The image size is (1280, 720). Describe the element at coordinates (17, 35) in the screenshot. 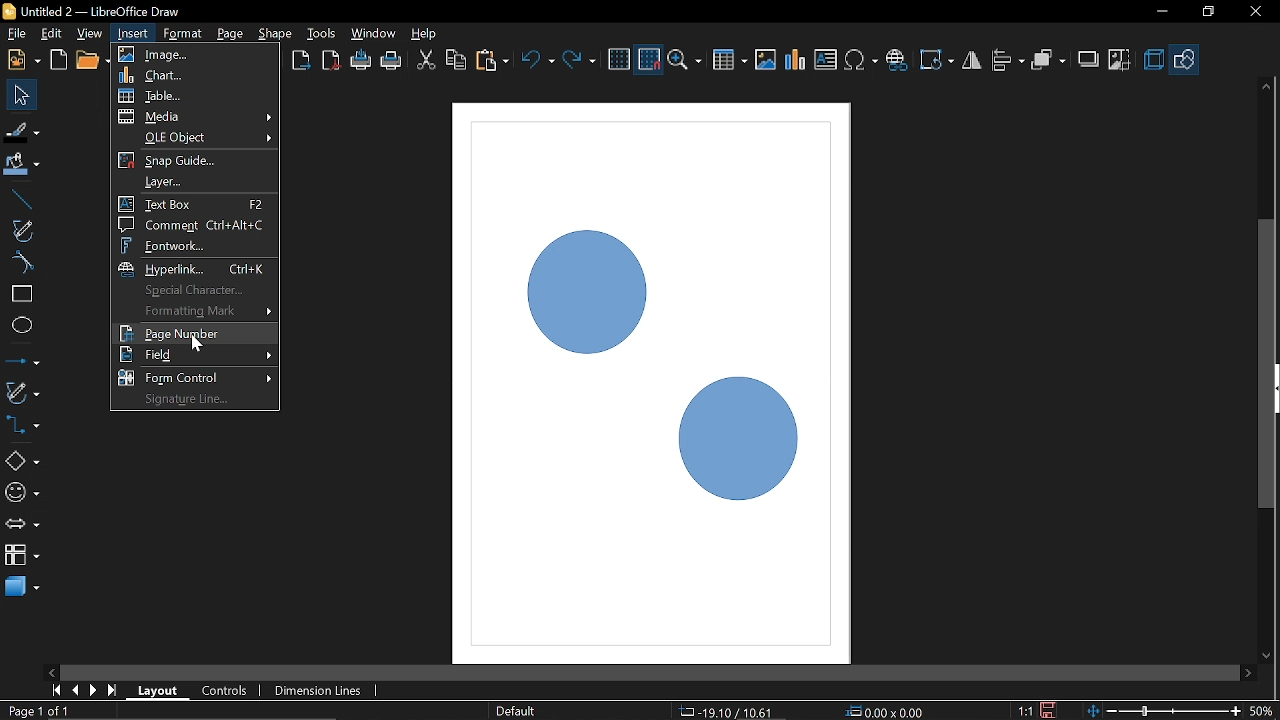

I see `file` at that location.